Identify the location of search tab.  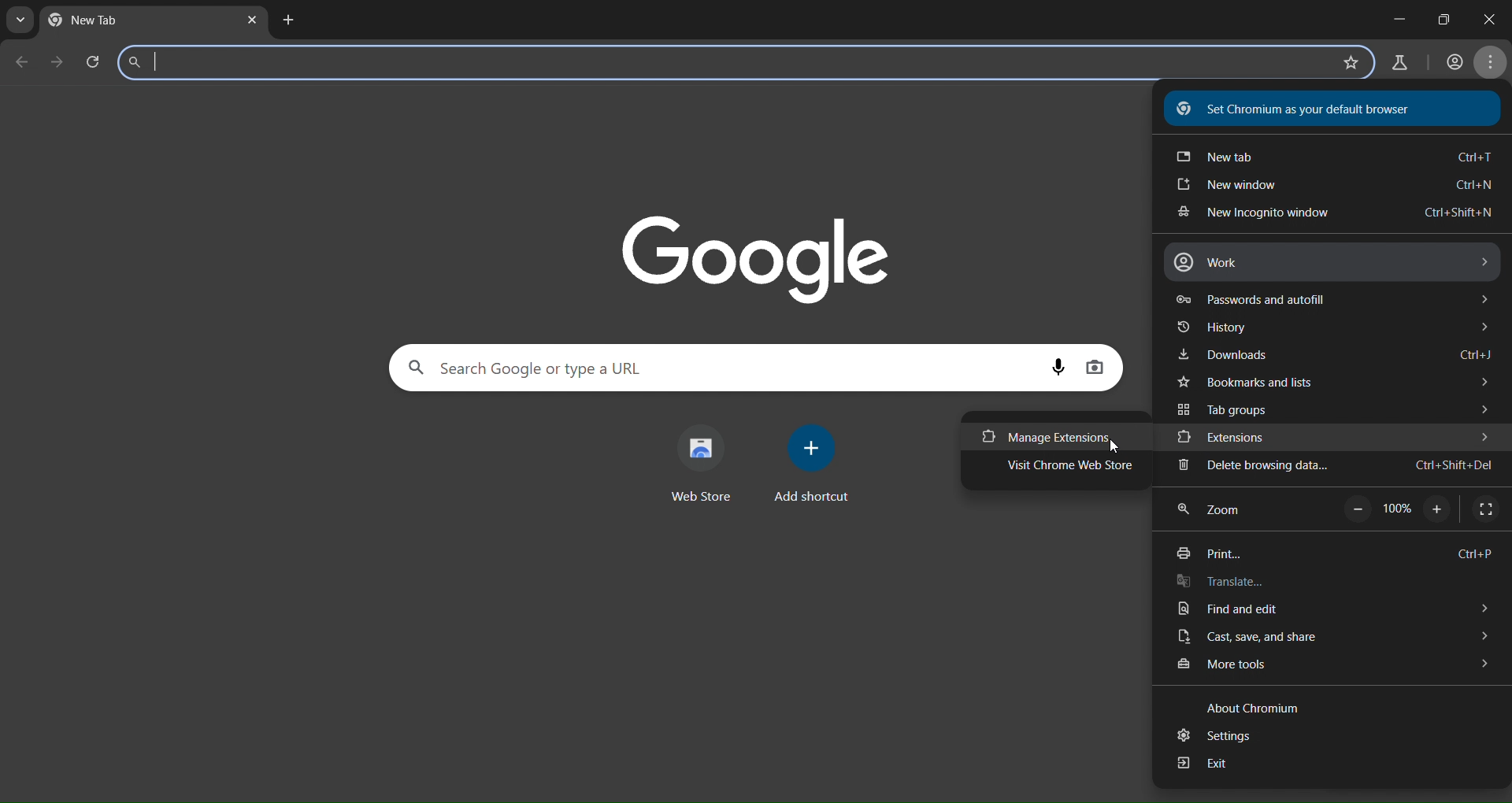
(17, 18).